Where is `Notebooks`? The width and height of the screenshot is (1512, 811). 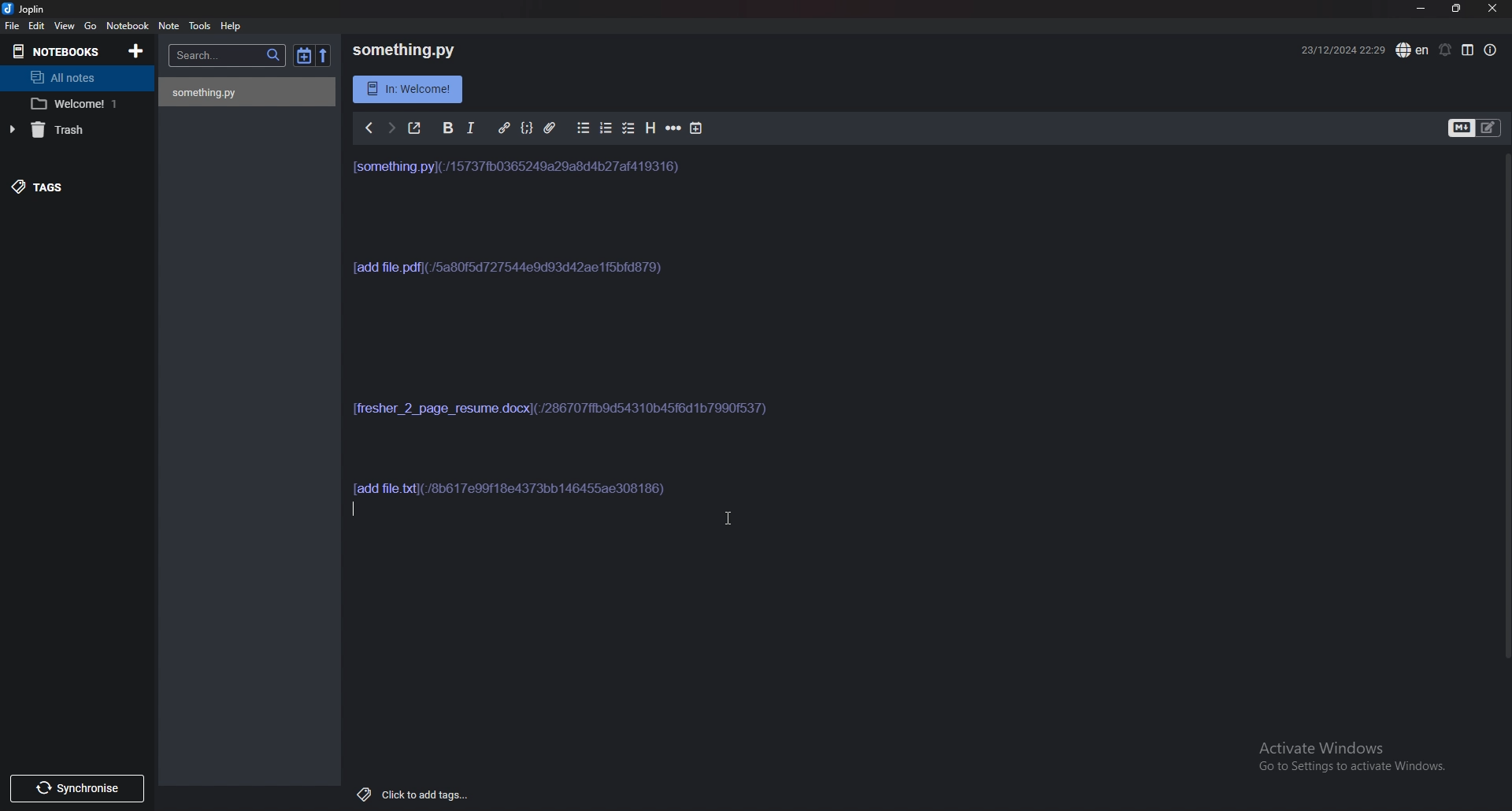
Notebooks is located at coordinates (57, 50).